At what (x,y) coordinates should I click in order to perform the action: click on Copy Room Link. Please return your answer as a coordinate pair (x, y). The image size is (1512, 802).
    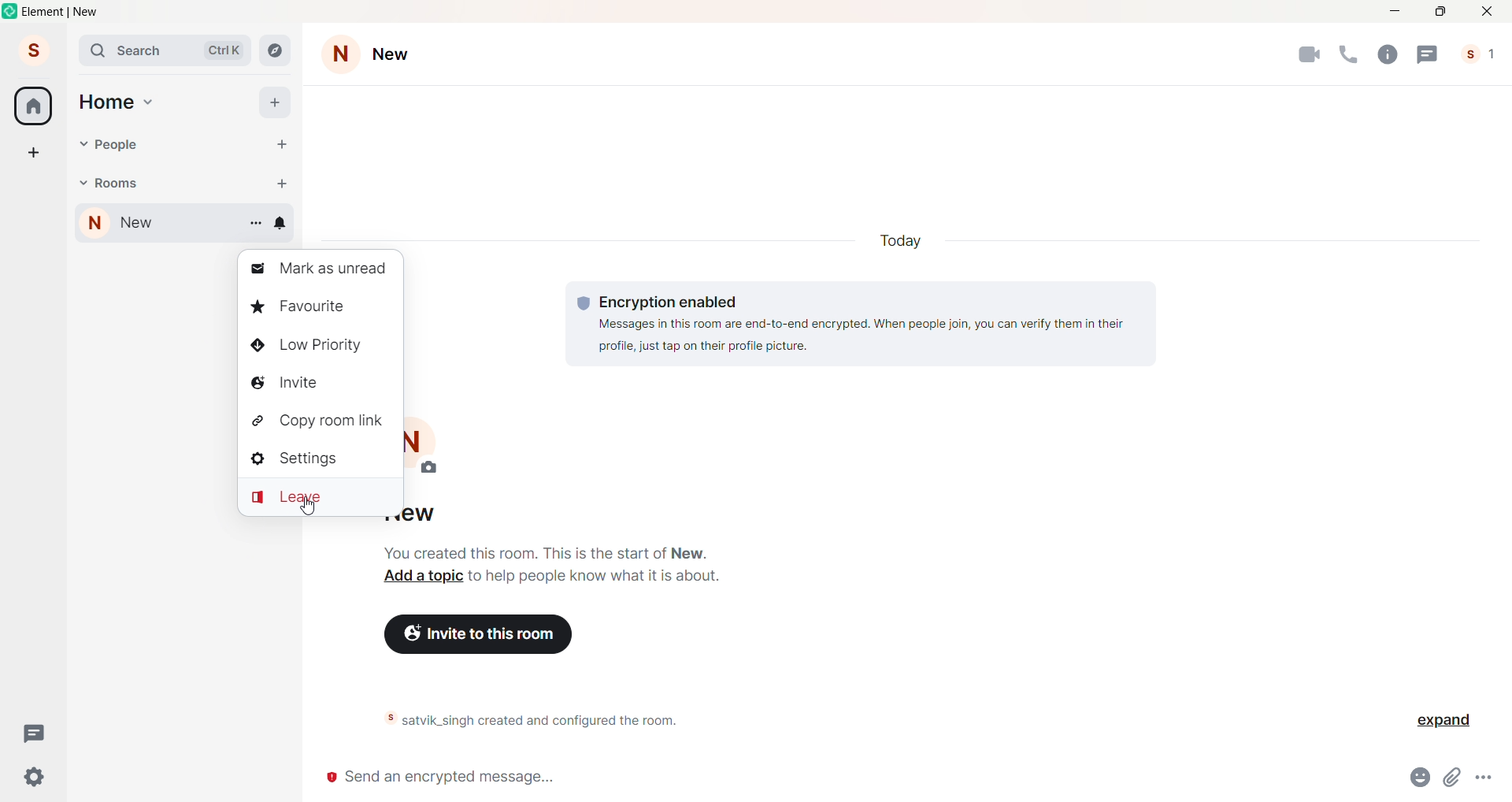
    Looking at the image, I should click on (316, 421).